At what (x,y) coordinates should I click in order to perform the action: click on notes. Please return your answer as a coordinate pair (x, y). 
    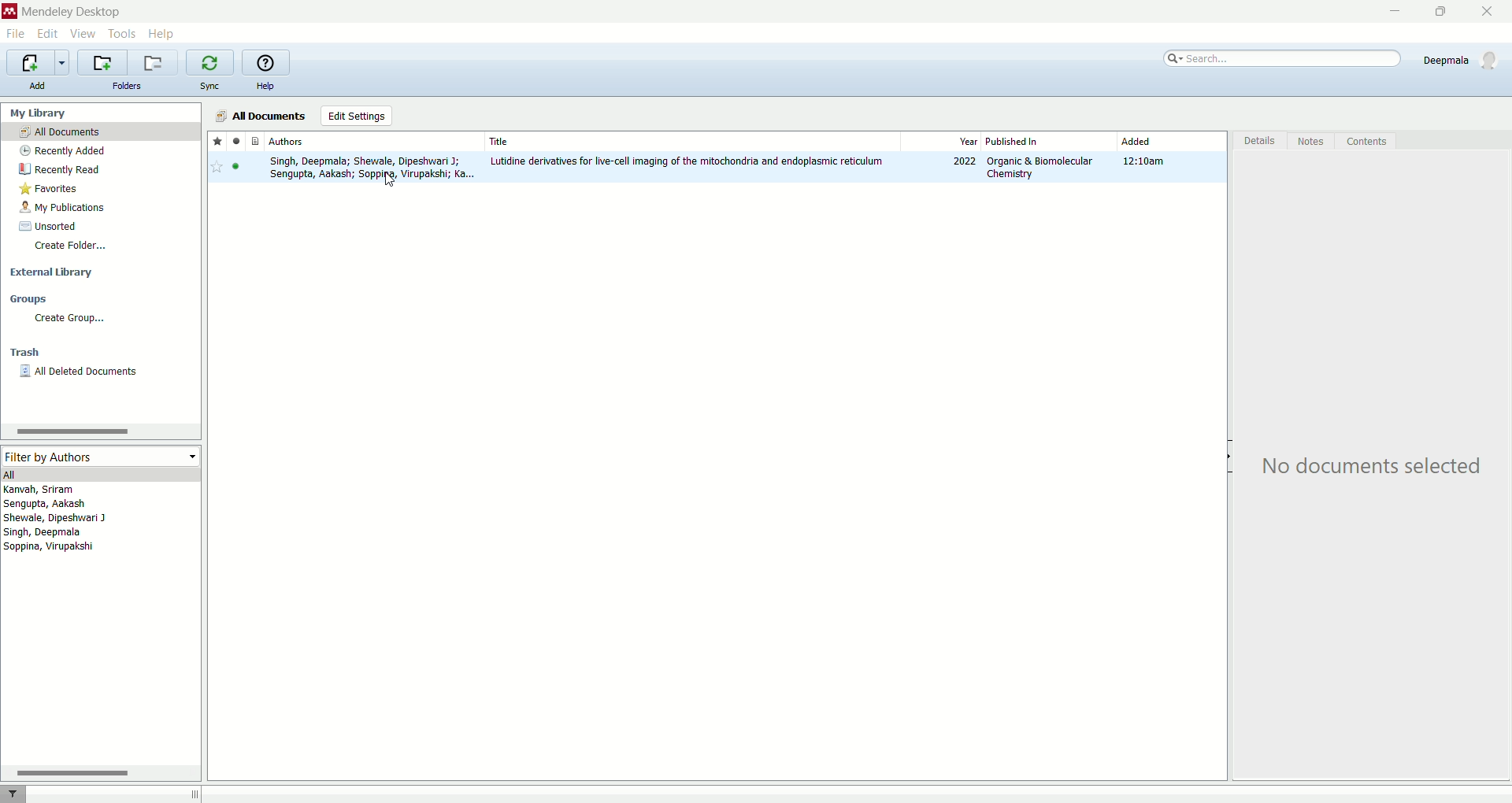
    Looking at the image, I should click on (1311, 140).